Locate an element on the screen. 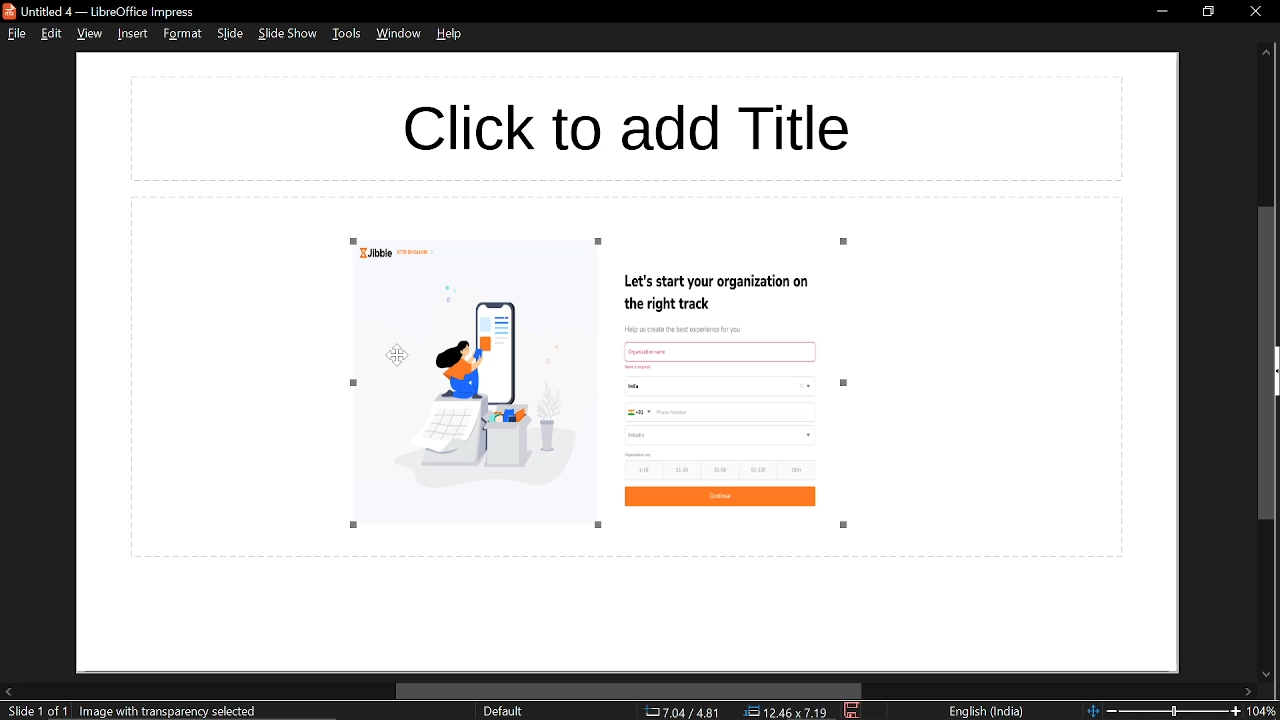 The width and height of the screenshot is (1280, 720). move down is located at coordinates (1264, 672).